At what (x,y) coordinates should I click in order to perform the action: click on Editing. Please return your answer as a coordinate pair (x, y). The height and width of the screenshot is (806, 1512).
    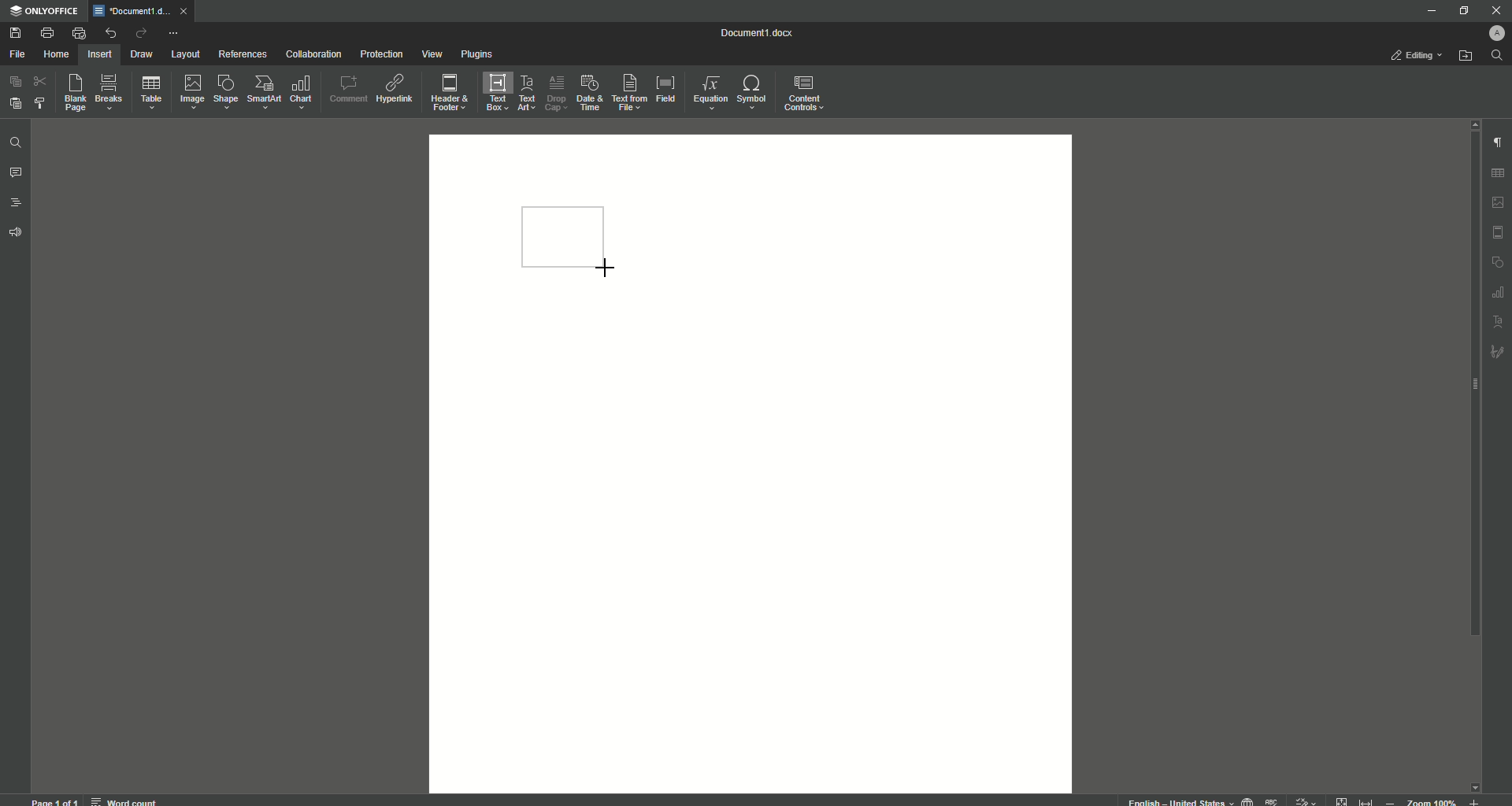
    Looking at the image, I should click on (1419, 55).